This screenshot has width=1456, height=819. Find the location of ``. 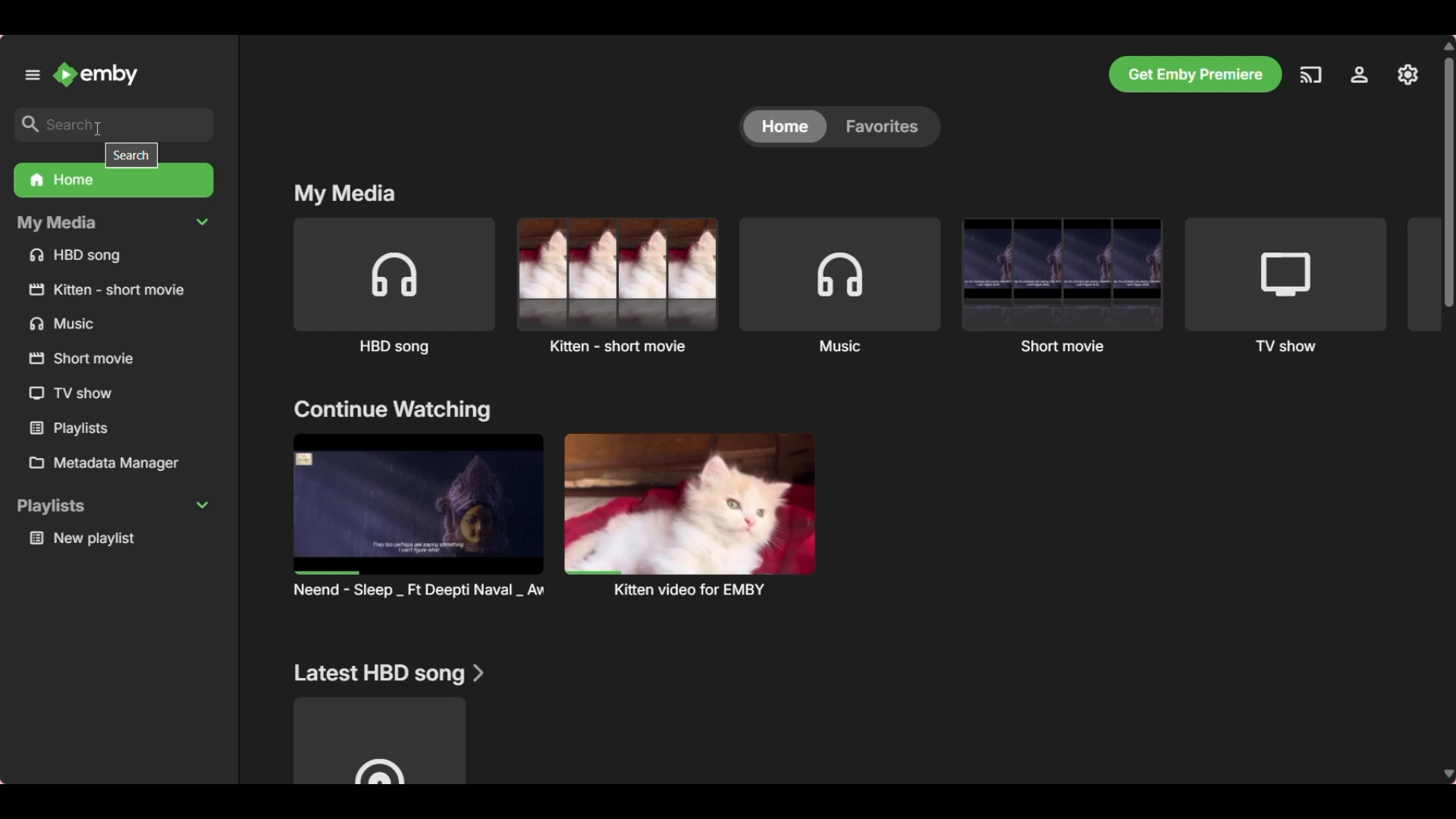

 is located at coordinates (90, 428).